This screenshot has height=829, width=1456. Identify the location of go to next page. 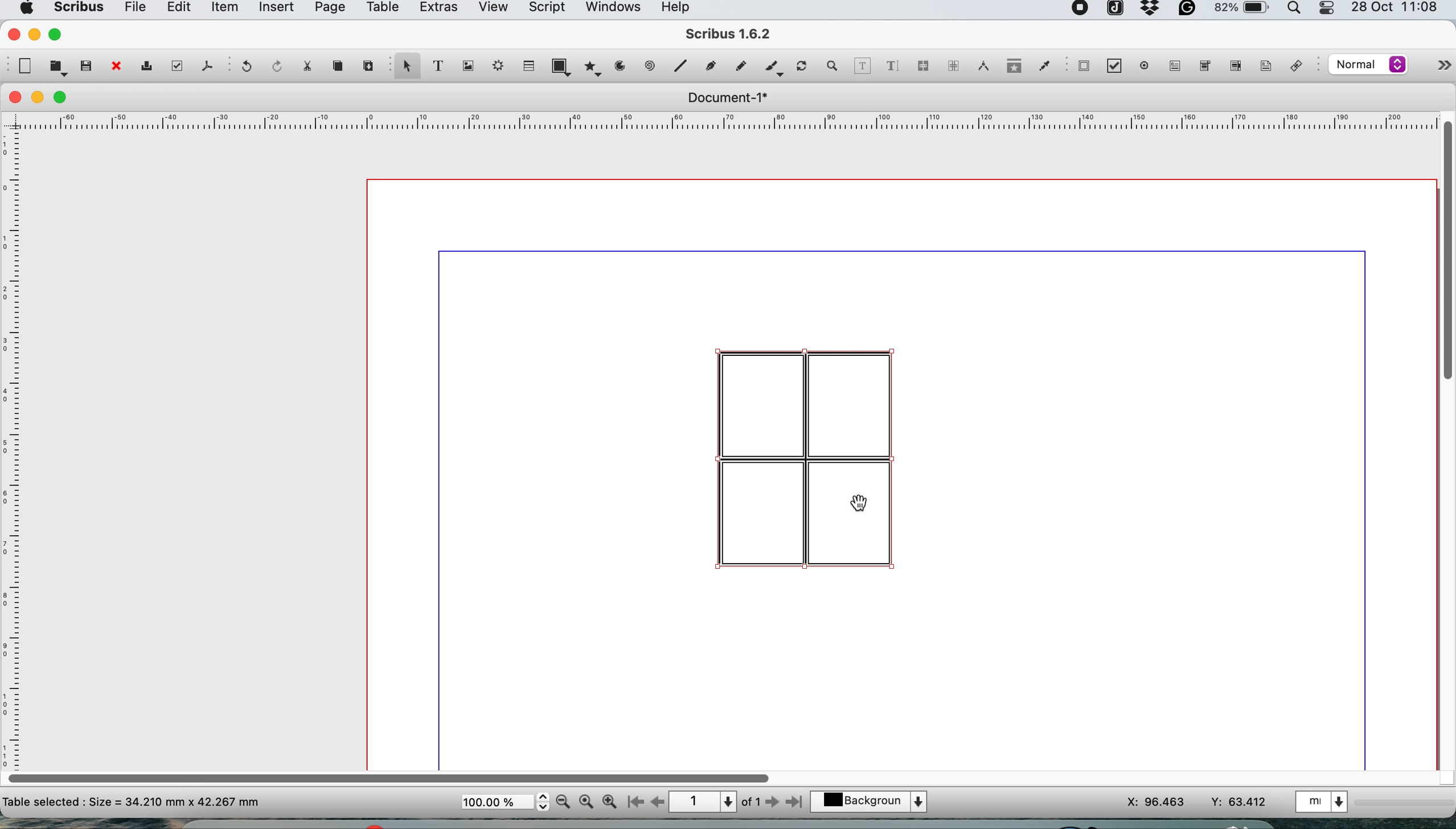
(772, 803).